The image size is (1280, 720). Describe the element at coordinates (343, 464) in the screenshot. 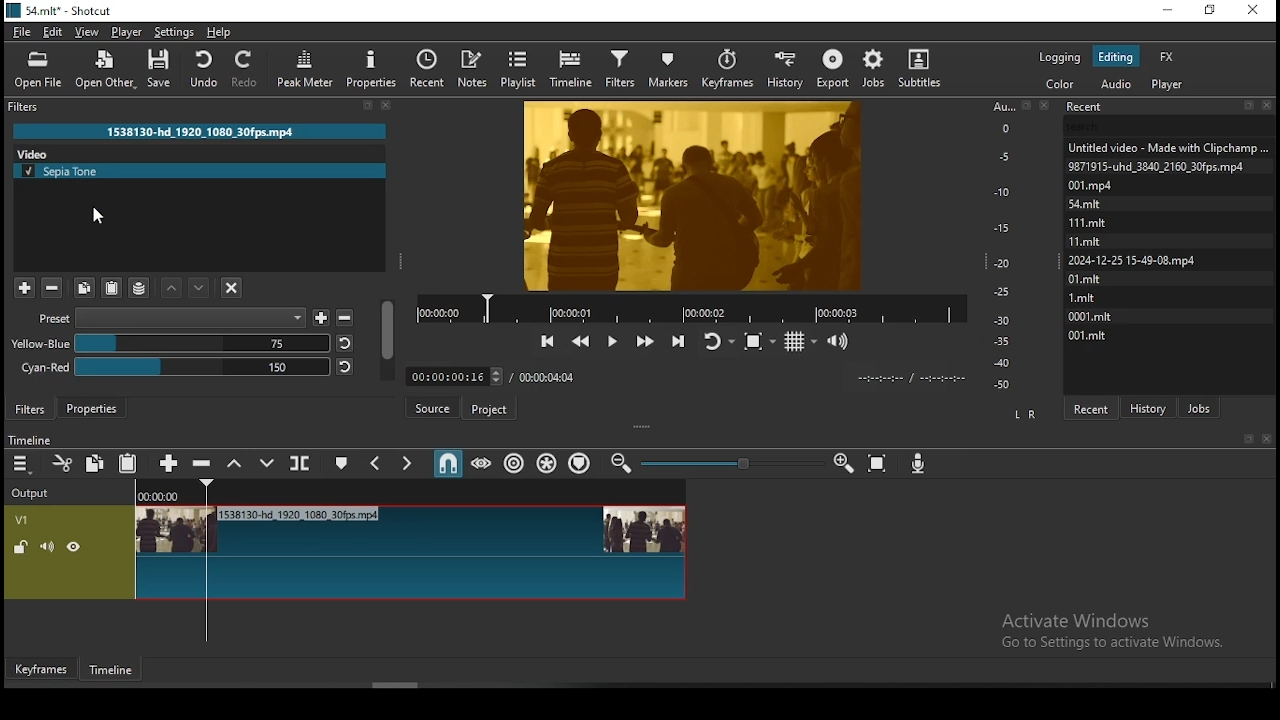

I see `create/edit marker` at that location.